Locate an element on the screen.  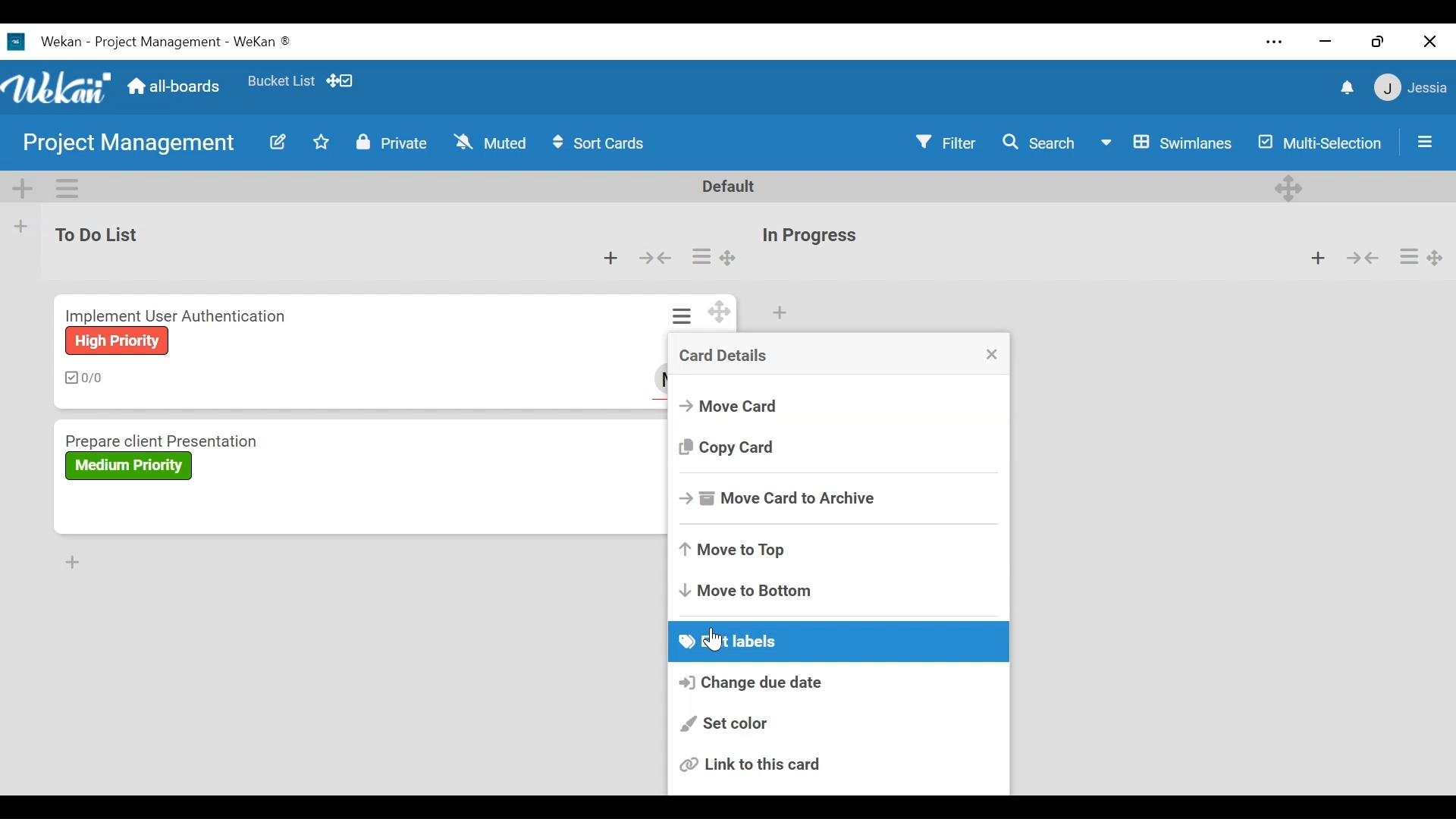
Number of checklists is located at coordinates (86, 378).